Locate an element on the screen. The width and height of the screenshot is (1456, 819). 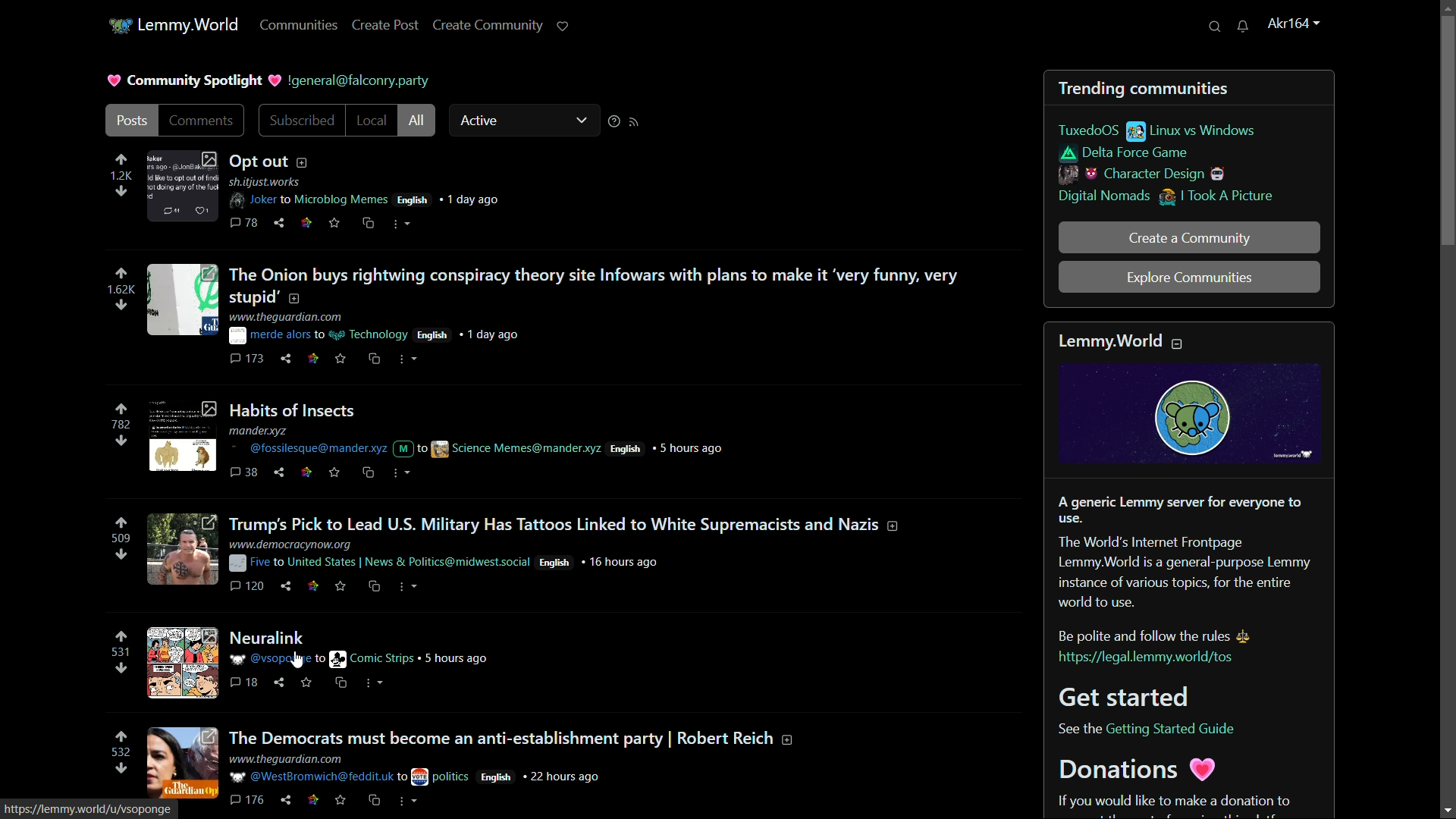
link is located at coordinates (307, 472).